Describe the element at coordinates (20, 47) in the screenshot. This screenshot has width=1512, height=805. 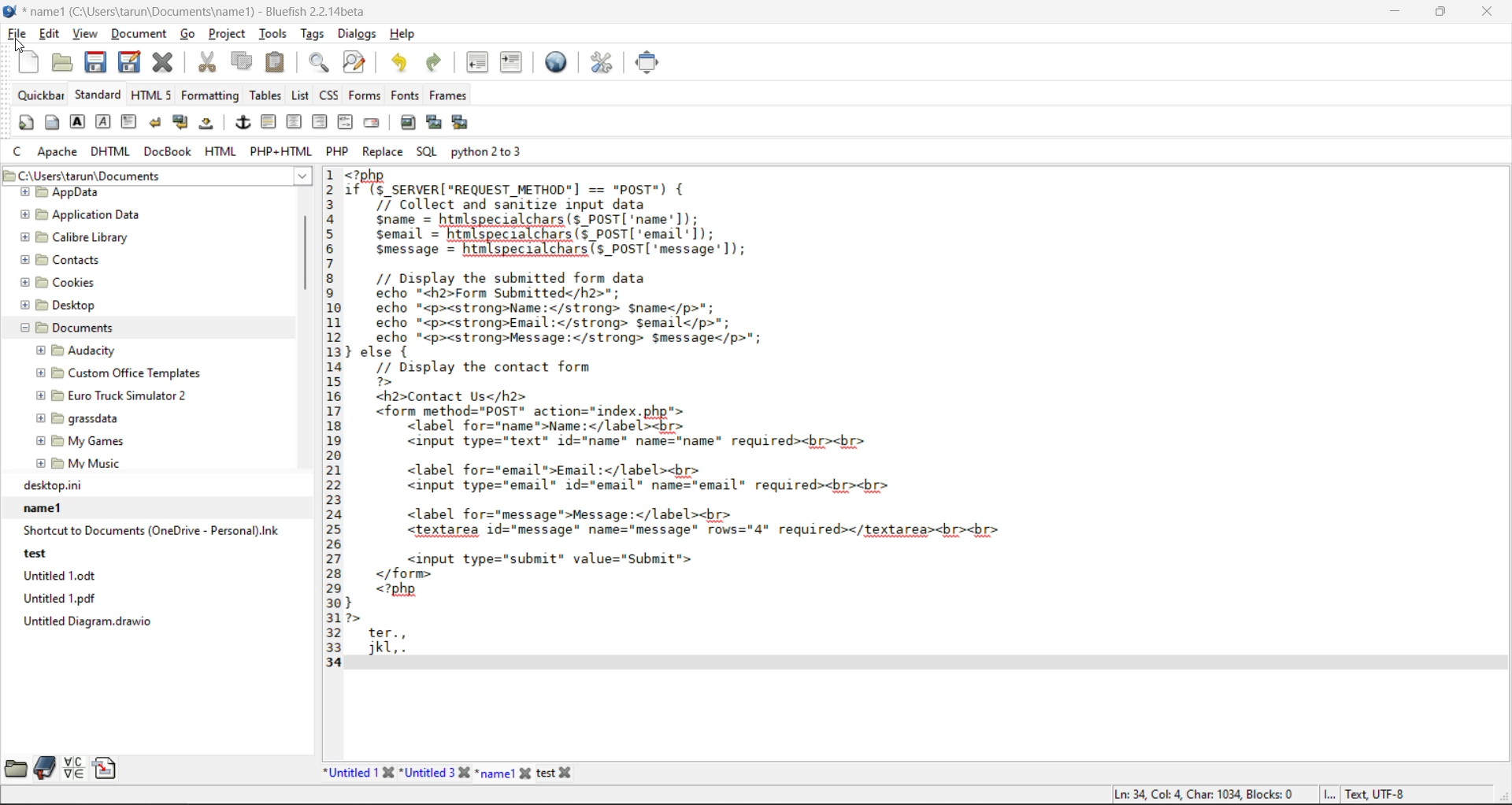
I see `Cursor` at that location.